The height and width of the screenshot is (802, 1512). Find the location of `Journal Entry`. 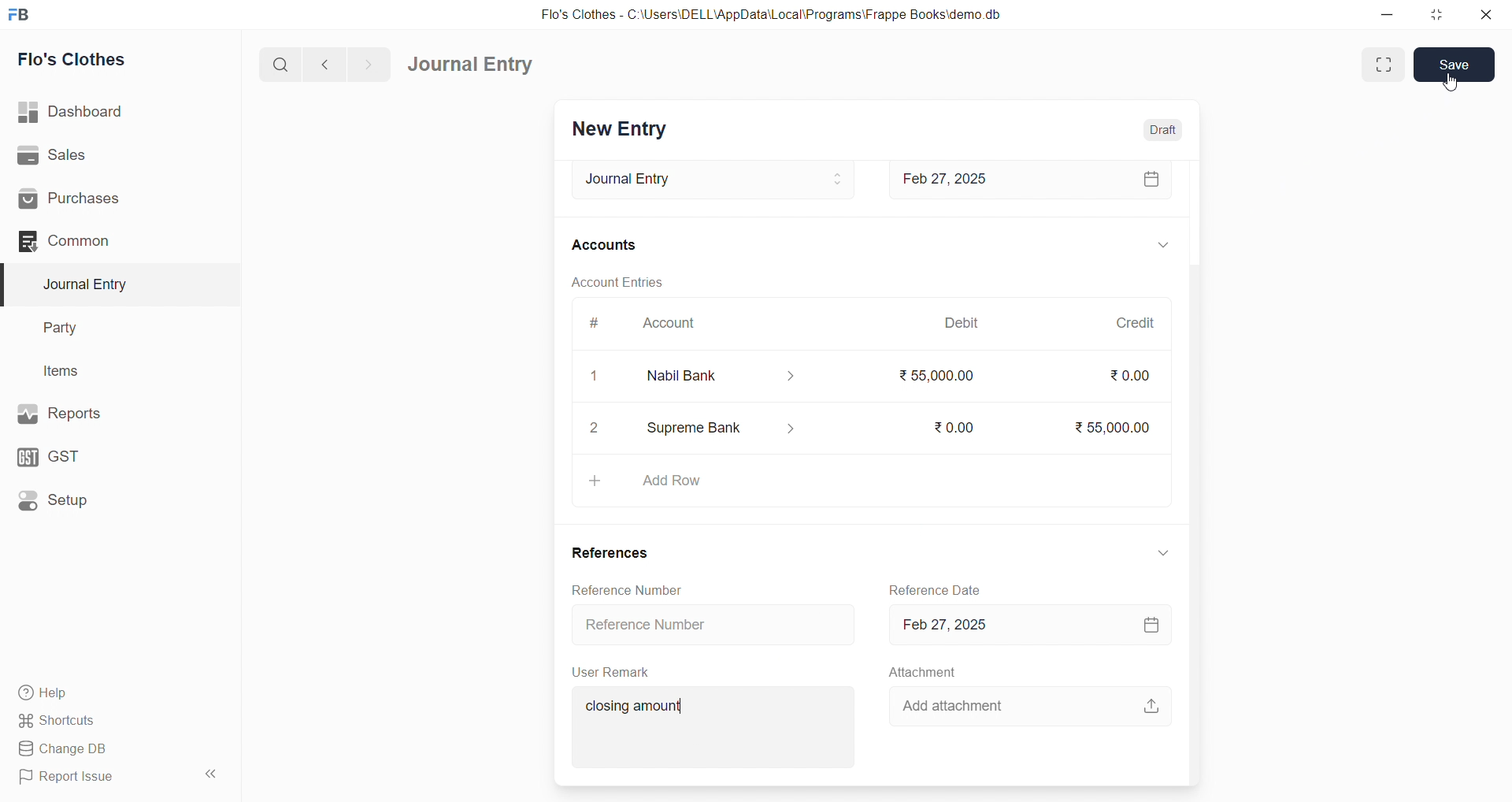

Journal Entry is located at coordinates (471, 64).